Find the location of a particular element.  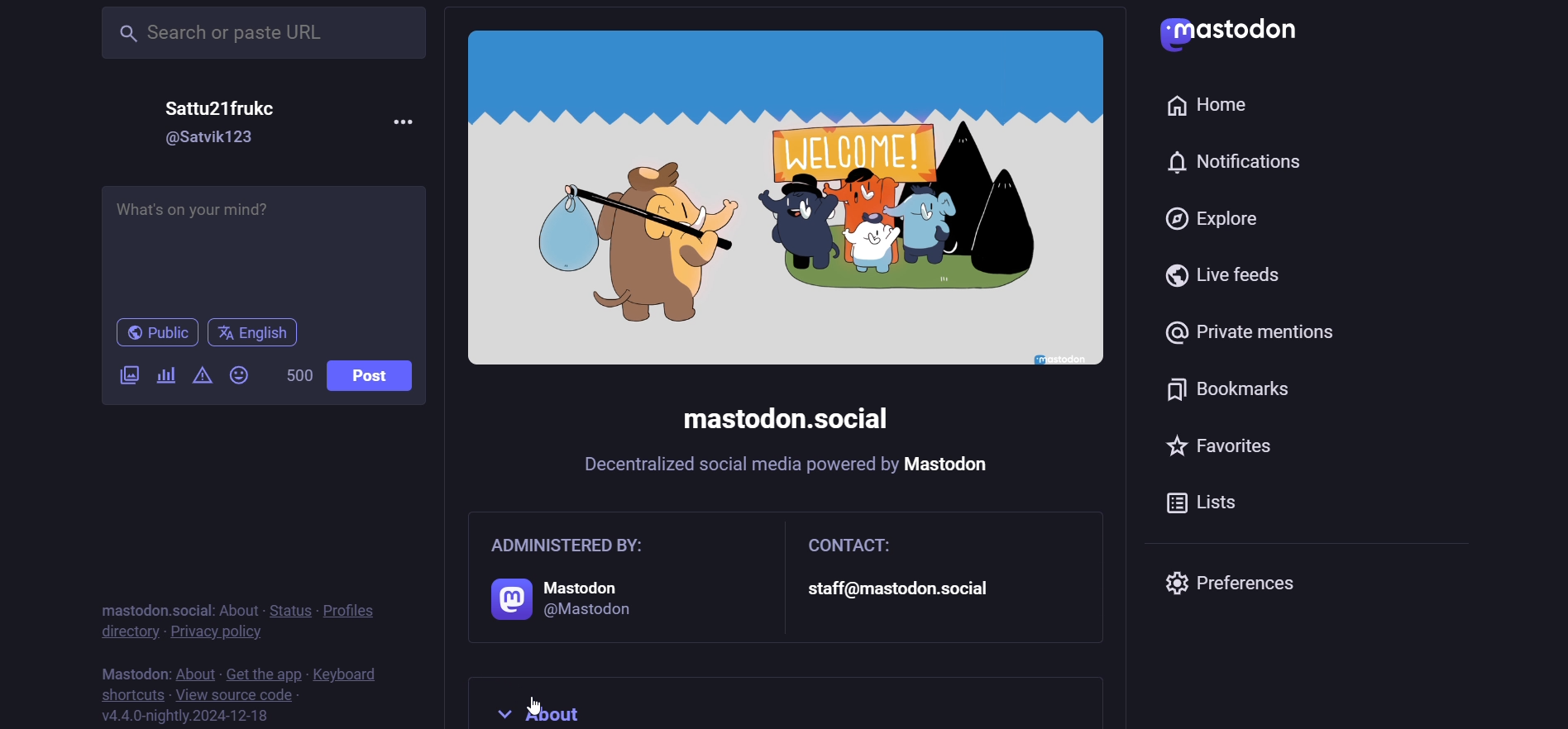

explore is located at coordinates (1217, 222).